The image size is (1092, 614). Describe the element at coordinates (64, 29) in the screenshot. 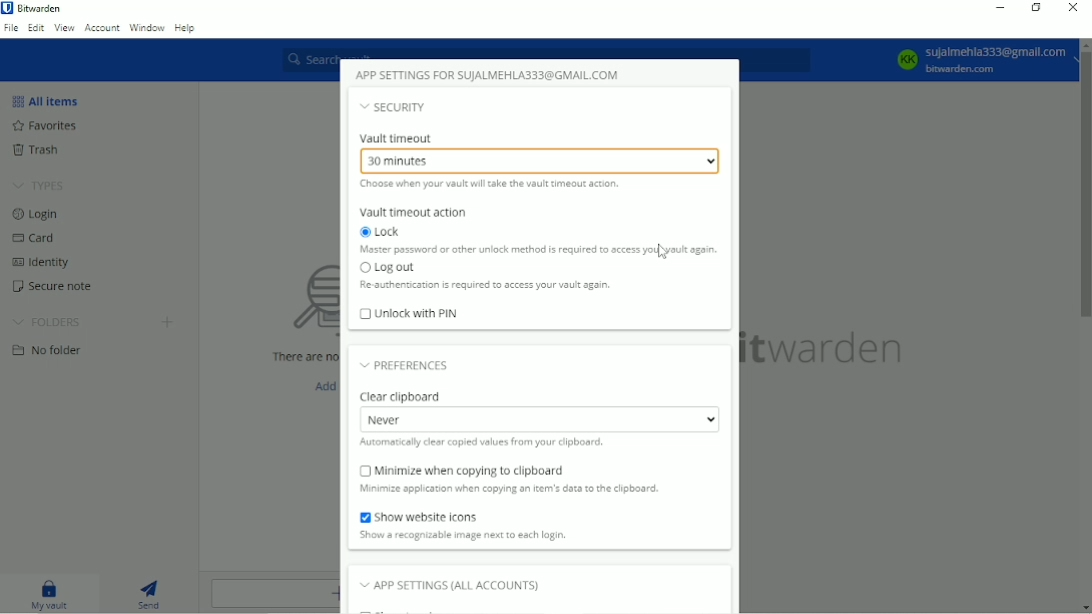

I see `View` at that location.